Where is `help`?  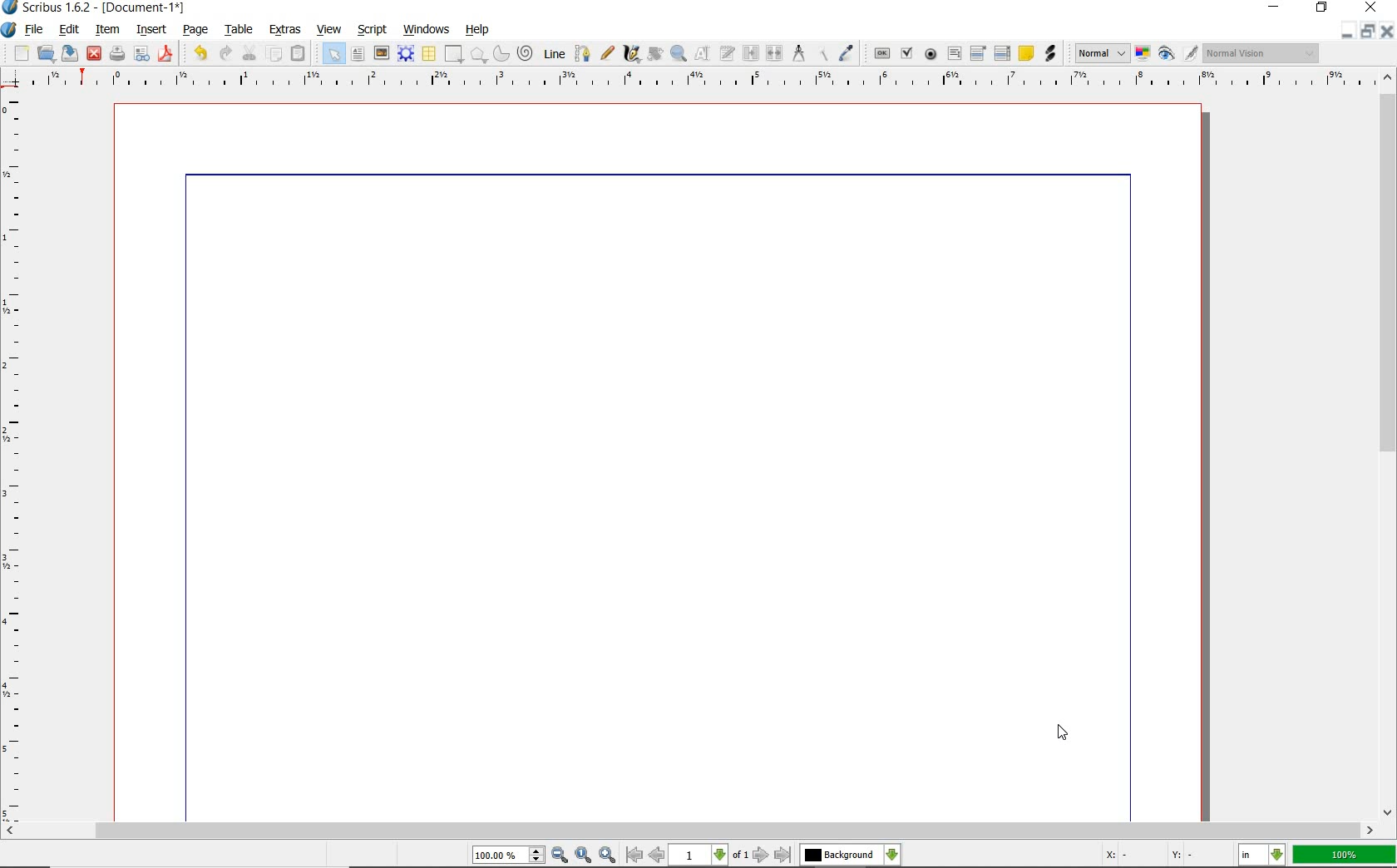
help is located at coordinates (480, 28).